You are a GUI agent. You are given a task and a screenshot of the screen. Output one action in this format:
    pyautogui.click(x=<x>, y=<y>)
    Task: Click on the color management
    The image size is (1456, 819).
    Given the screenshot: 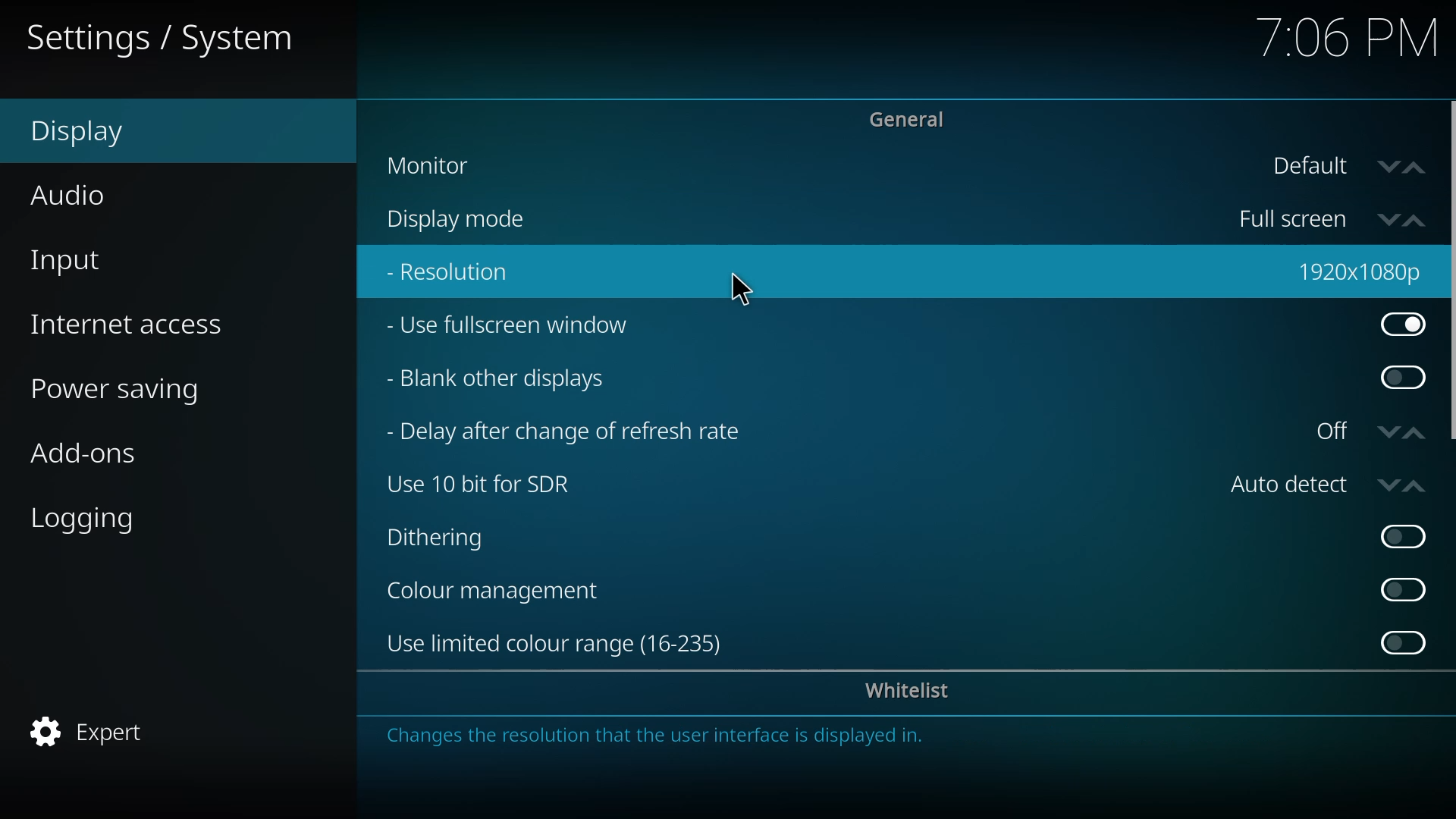 What is the action you would take?
    pyautogui.click(x=494, y=590)
    